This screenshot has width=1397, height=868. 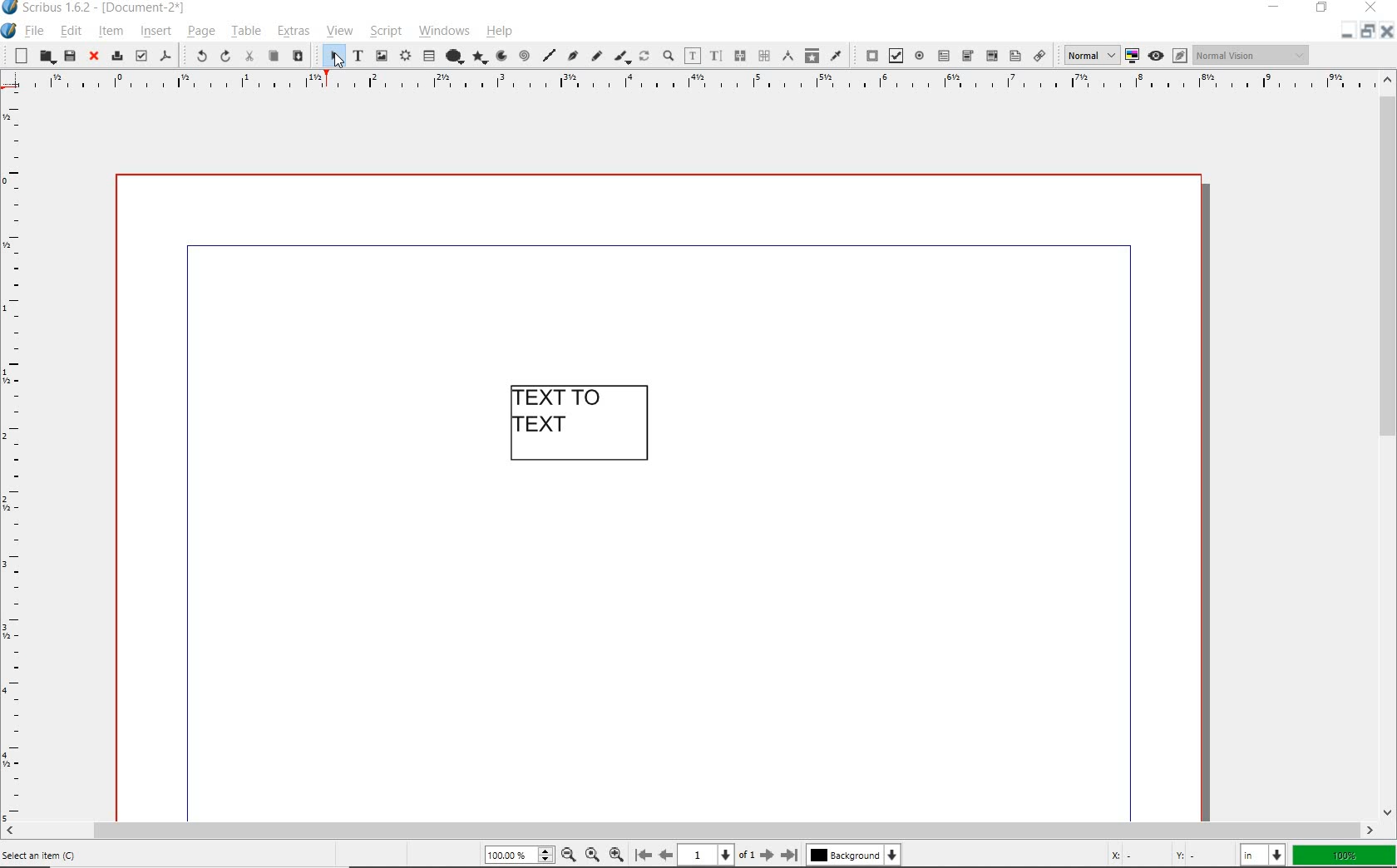 What do you see at coordinates (763, 57) in the screenshot?
I see `unlink text frames` at bounding box center [763, 57].